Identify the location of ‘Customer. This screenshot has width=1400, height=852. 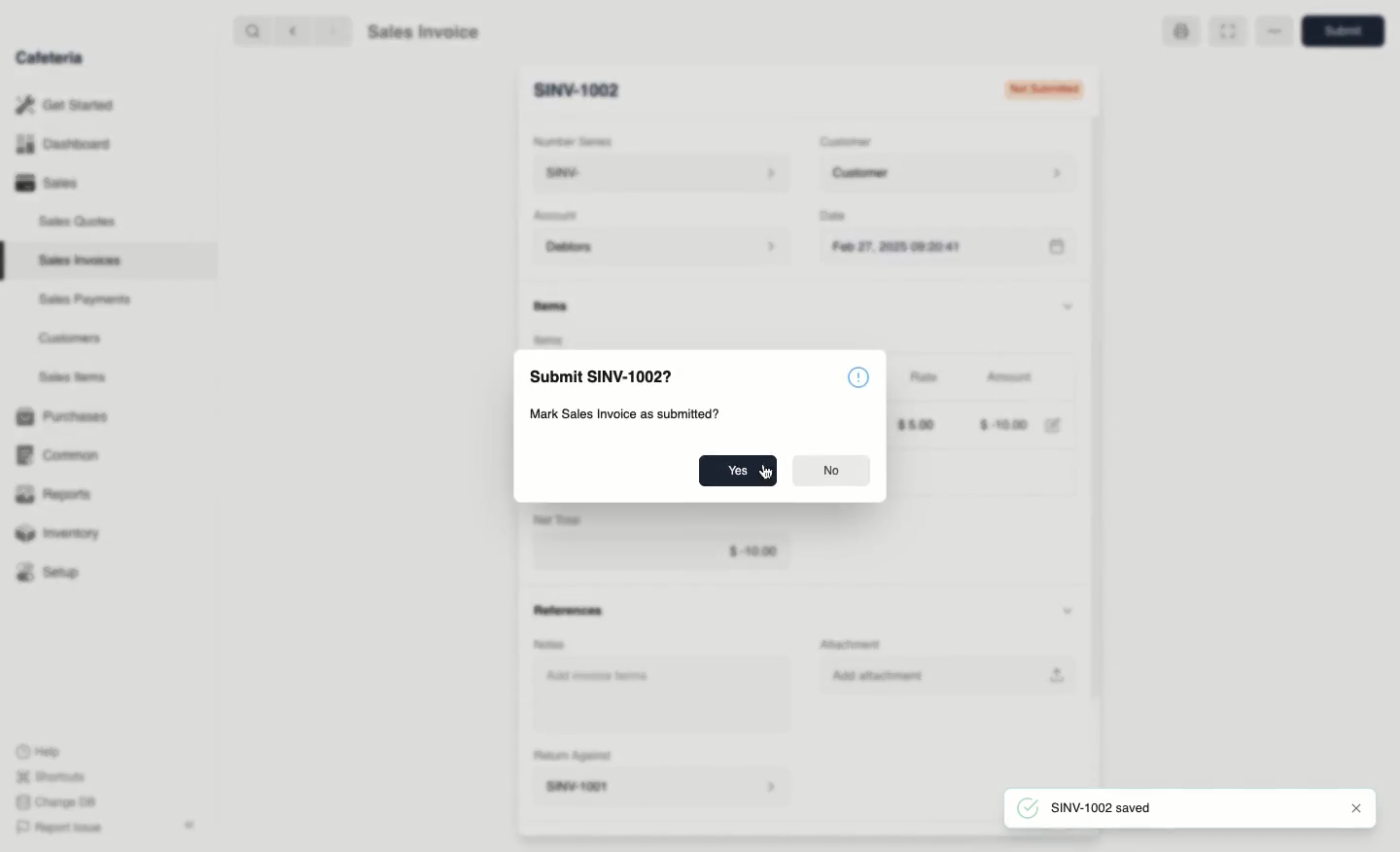
(850, 142).